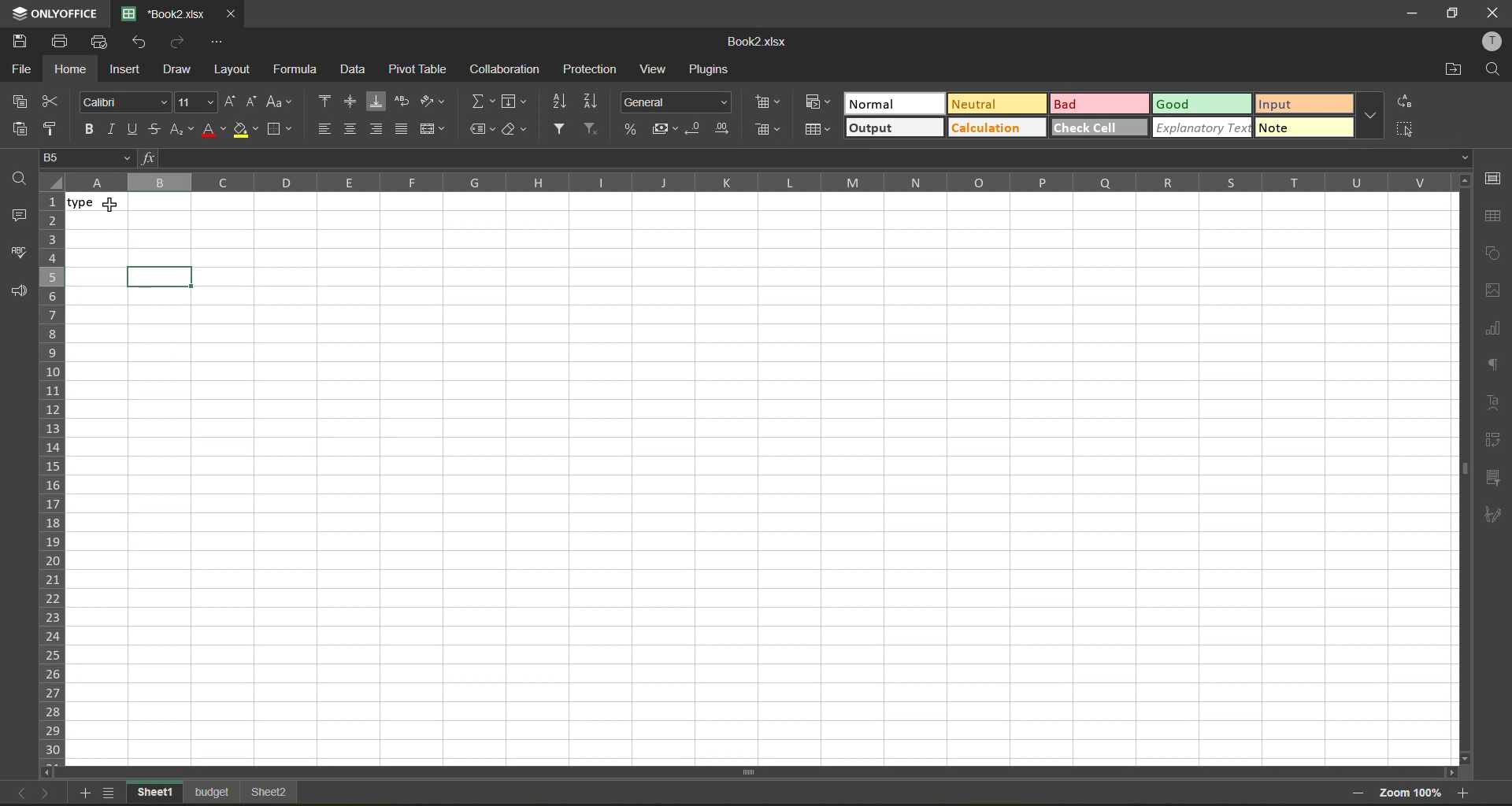 This screenshot has width=1512, height=806. Describe the element at coordinates (251, 104) in the screenshot. I see `decrement size` at that location.